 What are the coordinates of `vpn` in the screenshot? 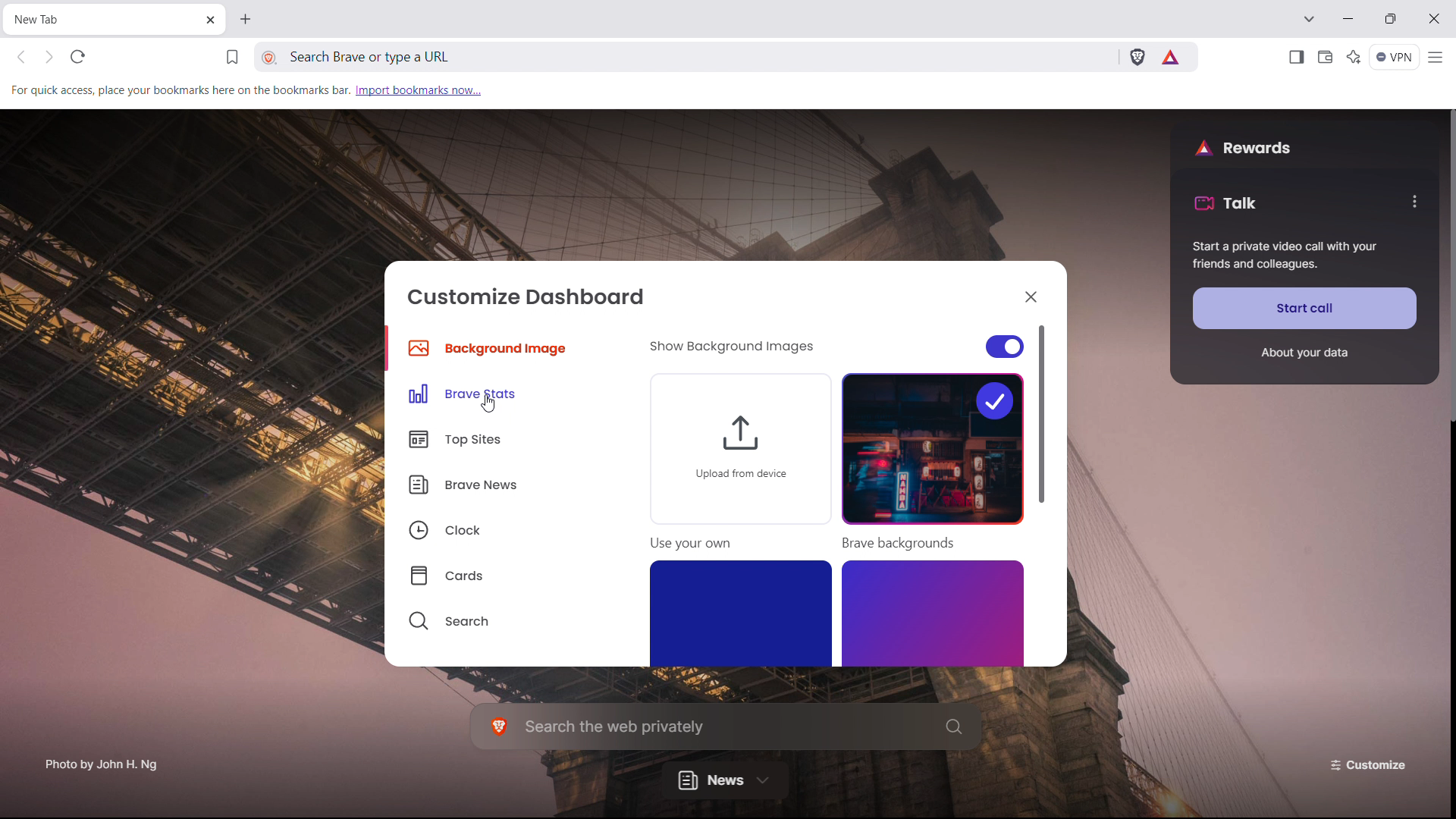 It's located at (1395, 58).